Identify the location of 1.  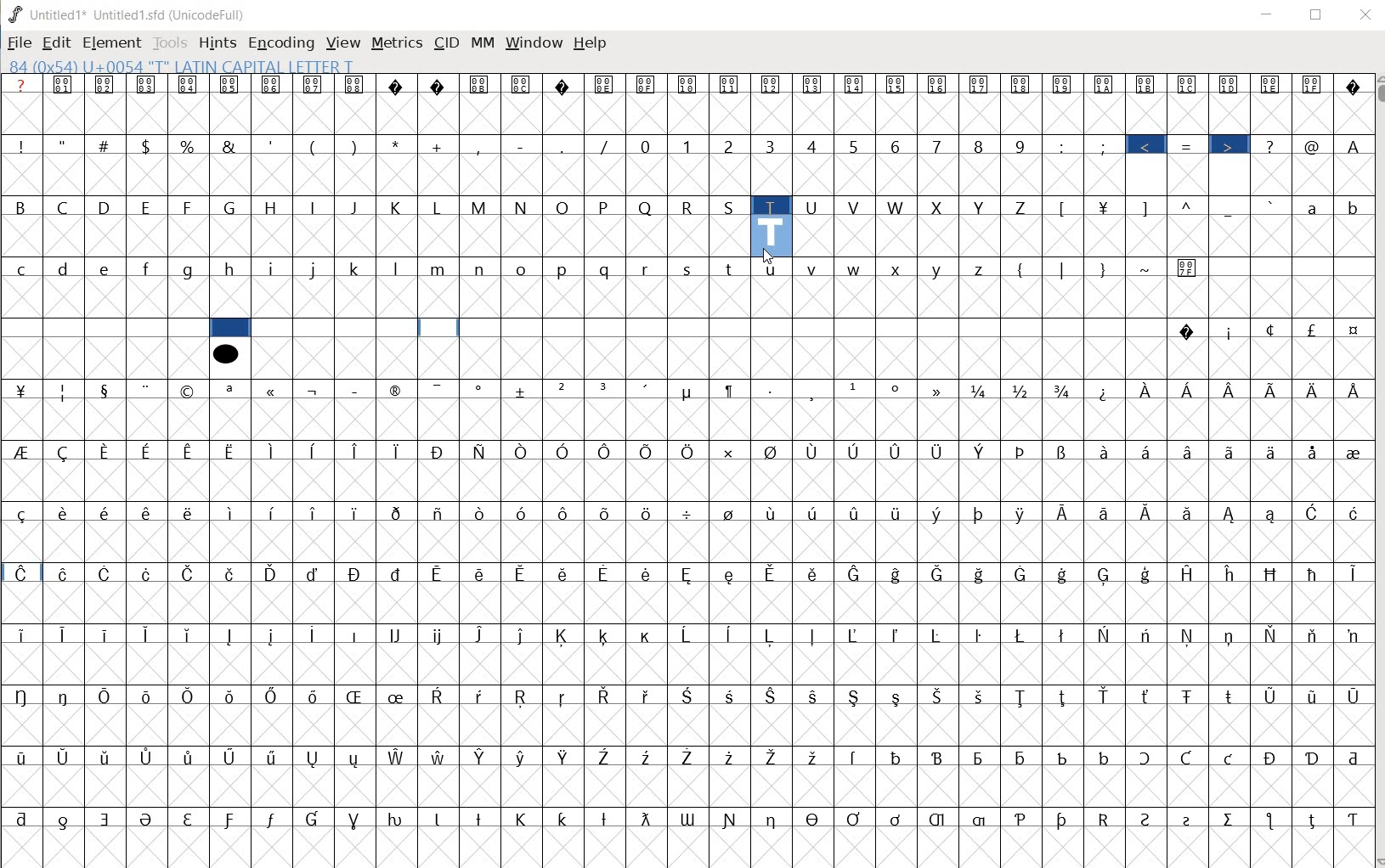
(688, 144).